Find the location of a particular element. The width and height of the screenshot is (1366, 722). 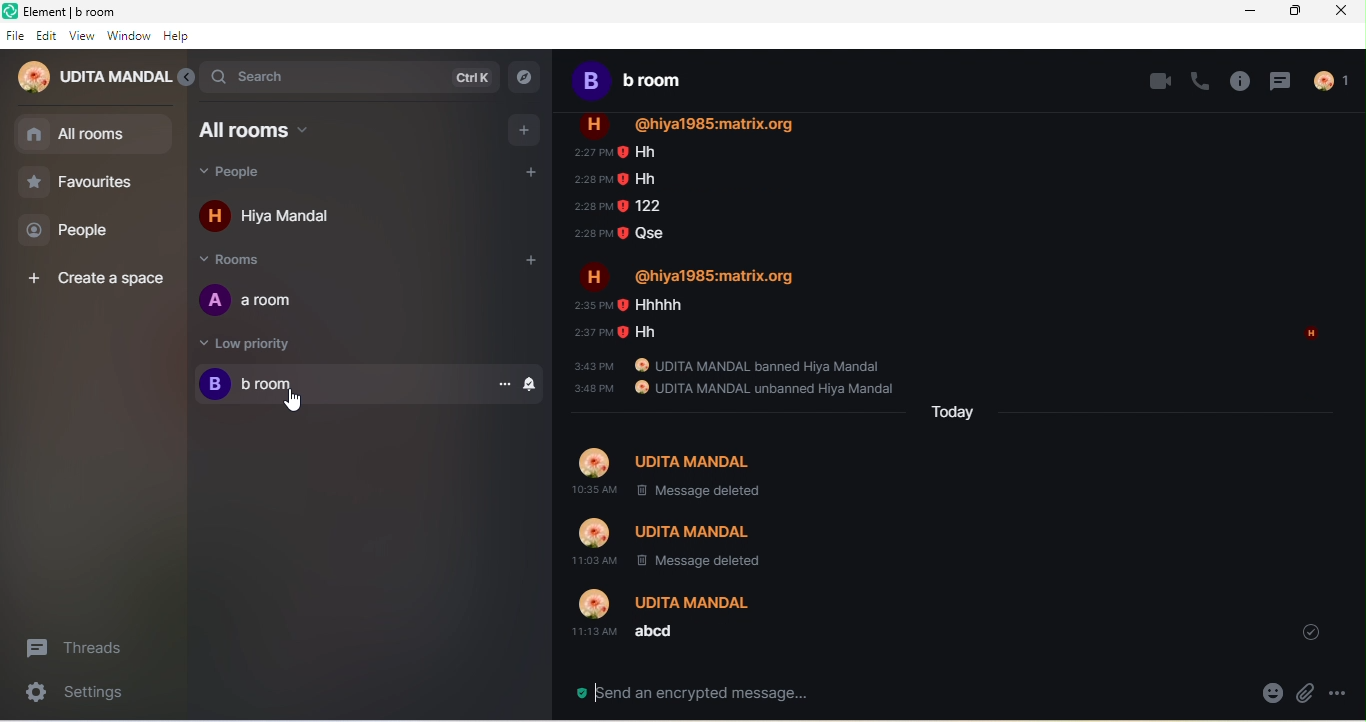

b room is located at coordinates (641, 85).